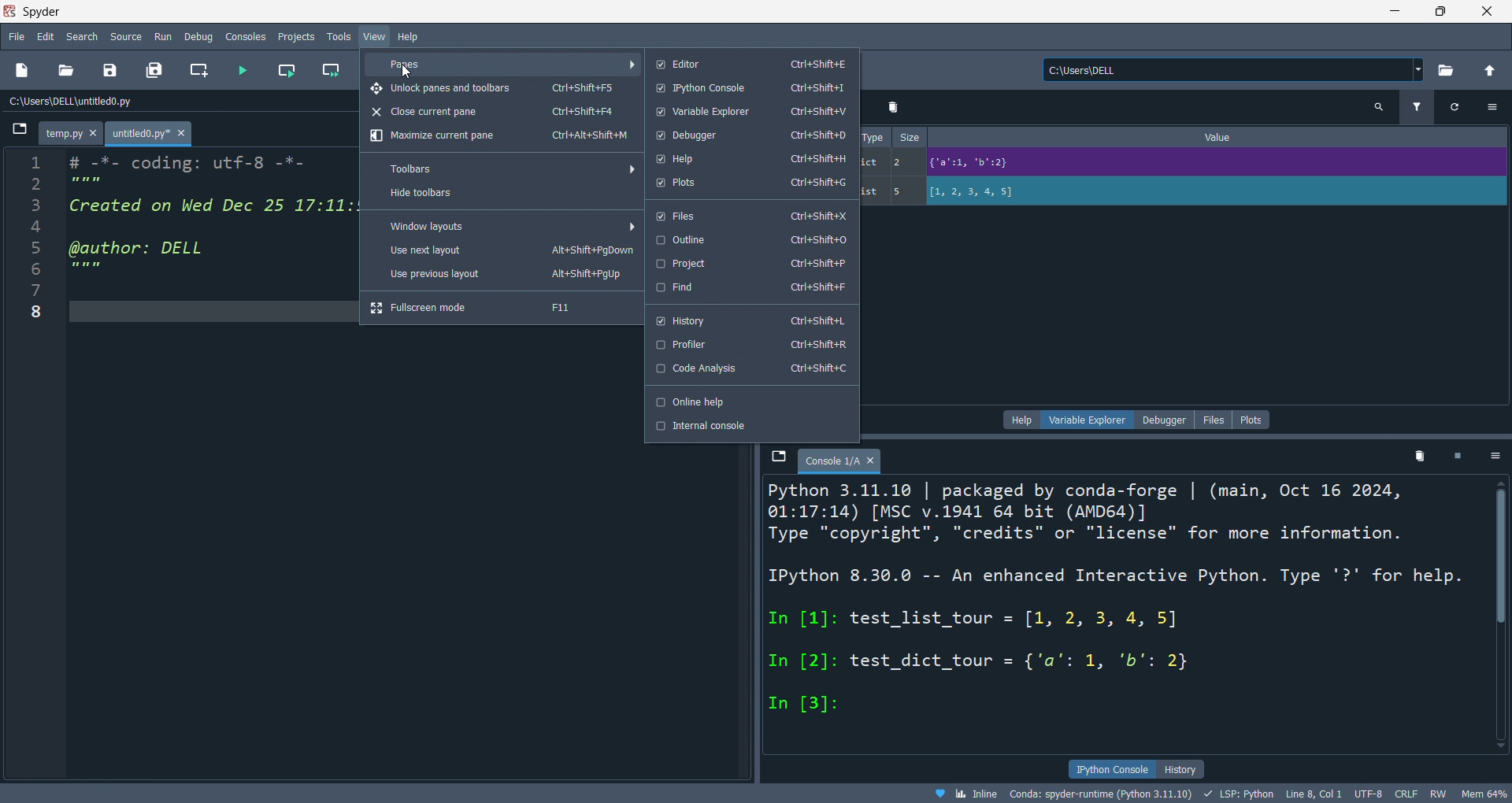  I want to click on crlf, so click(1404, 794).